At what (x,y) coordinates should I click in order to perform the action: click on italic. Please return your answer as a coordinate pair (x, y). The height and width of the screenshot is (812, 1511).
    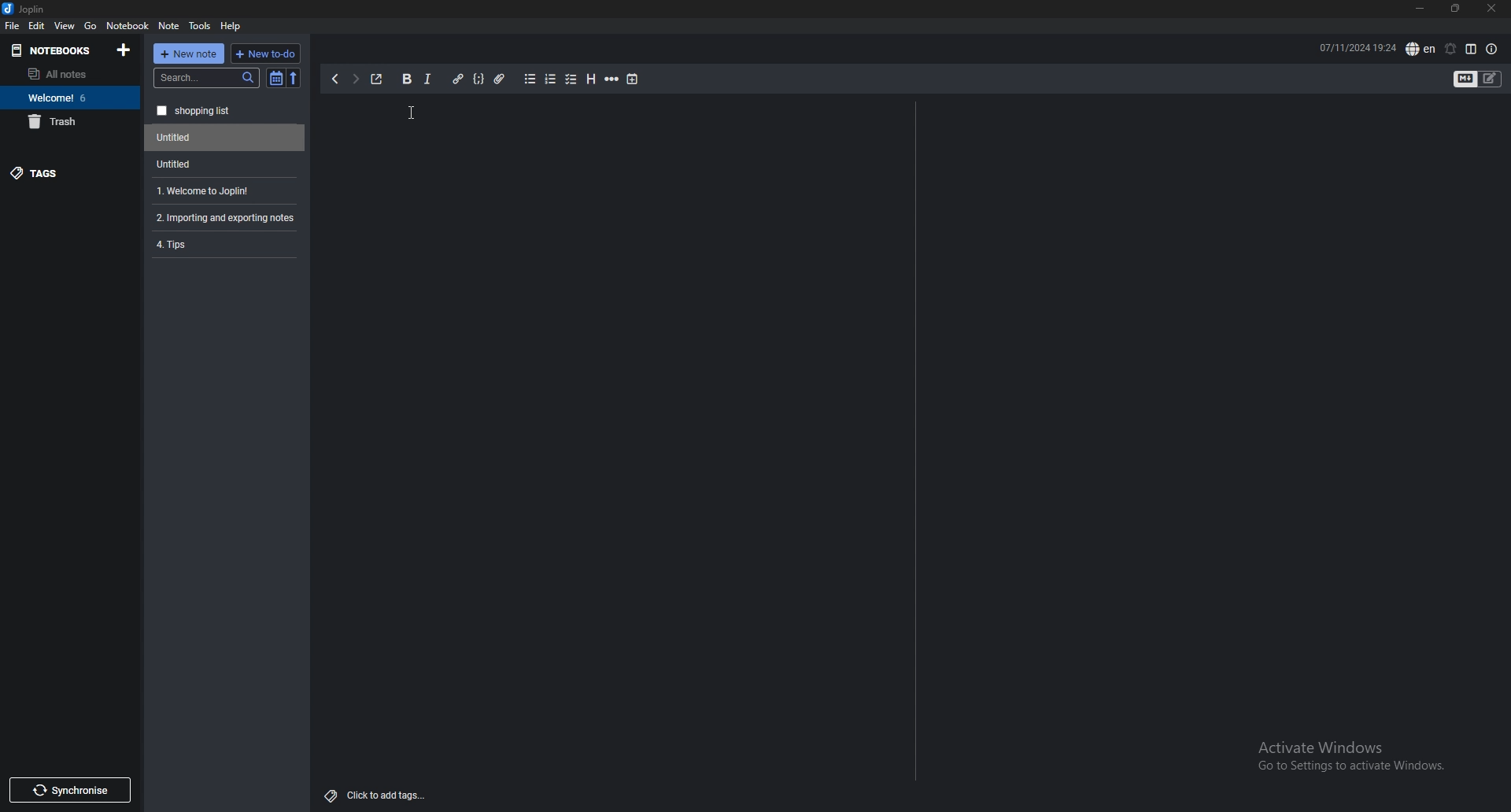
    Looking at the image, I should click on (427, 79).